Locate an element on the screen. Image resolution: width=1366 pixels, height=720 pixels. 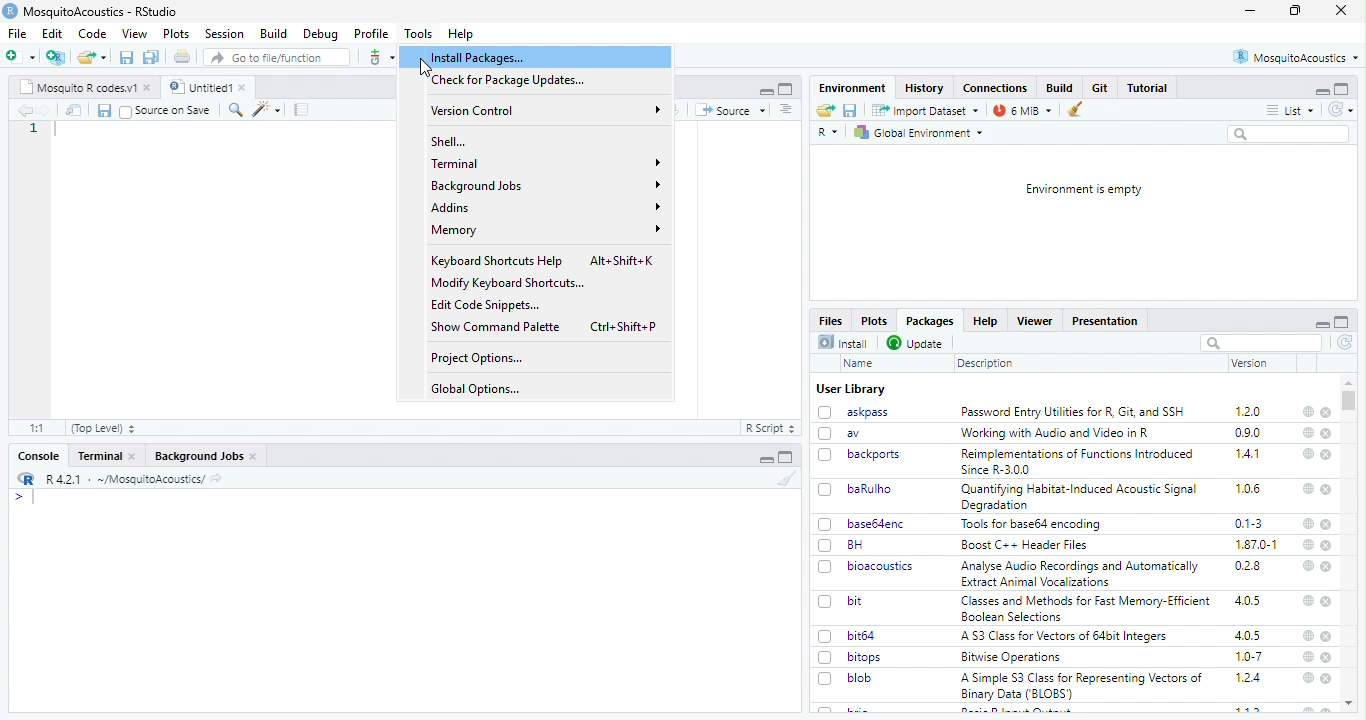
Source on save is located at coordinates (175, 111).